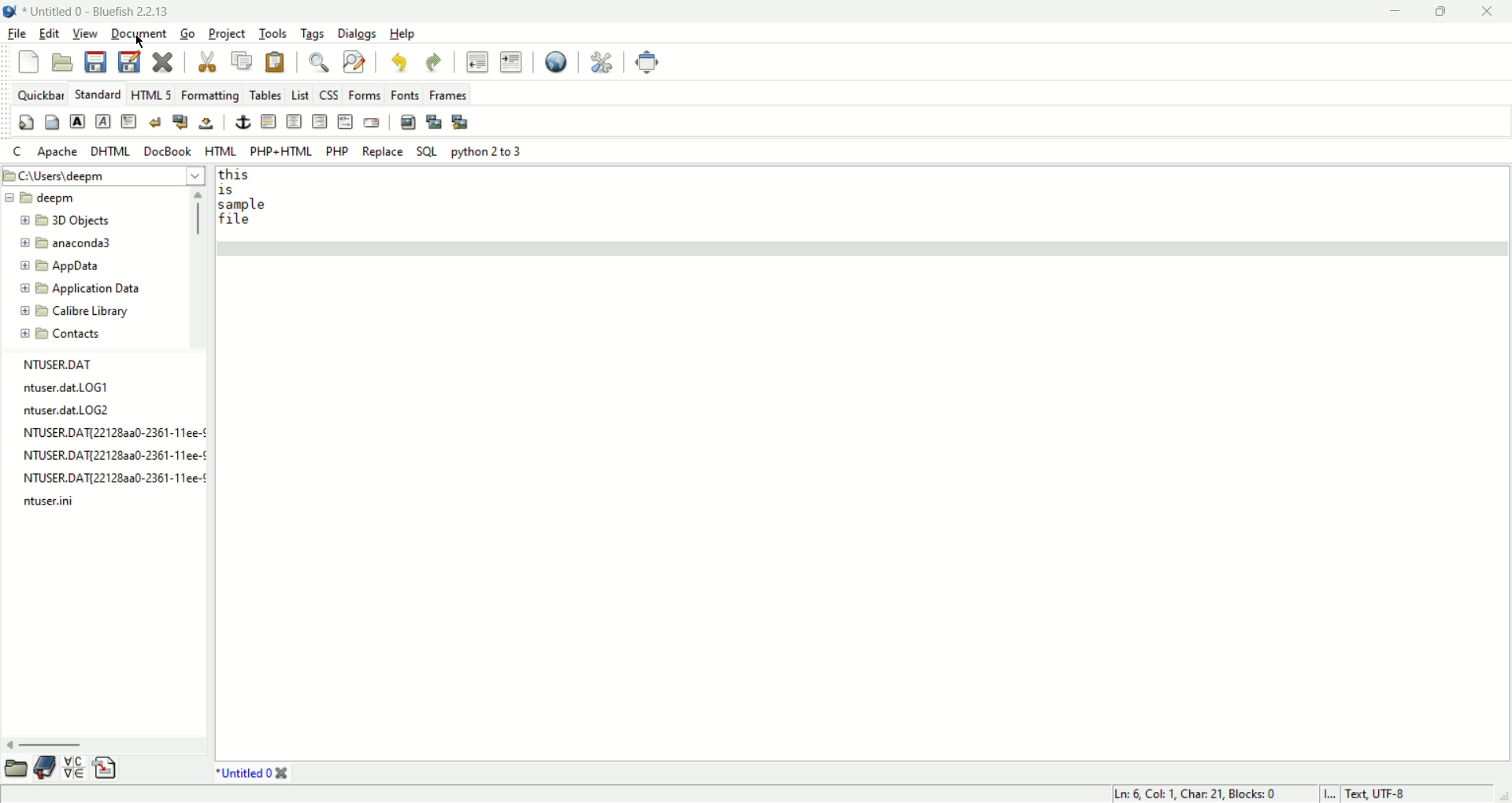 The height and width of the screenshot is (803, 1512). I want to click on break and clear, so click(179, 121).